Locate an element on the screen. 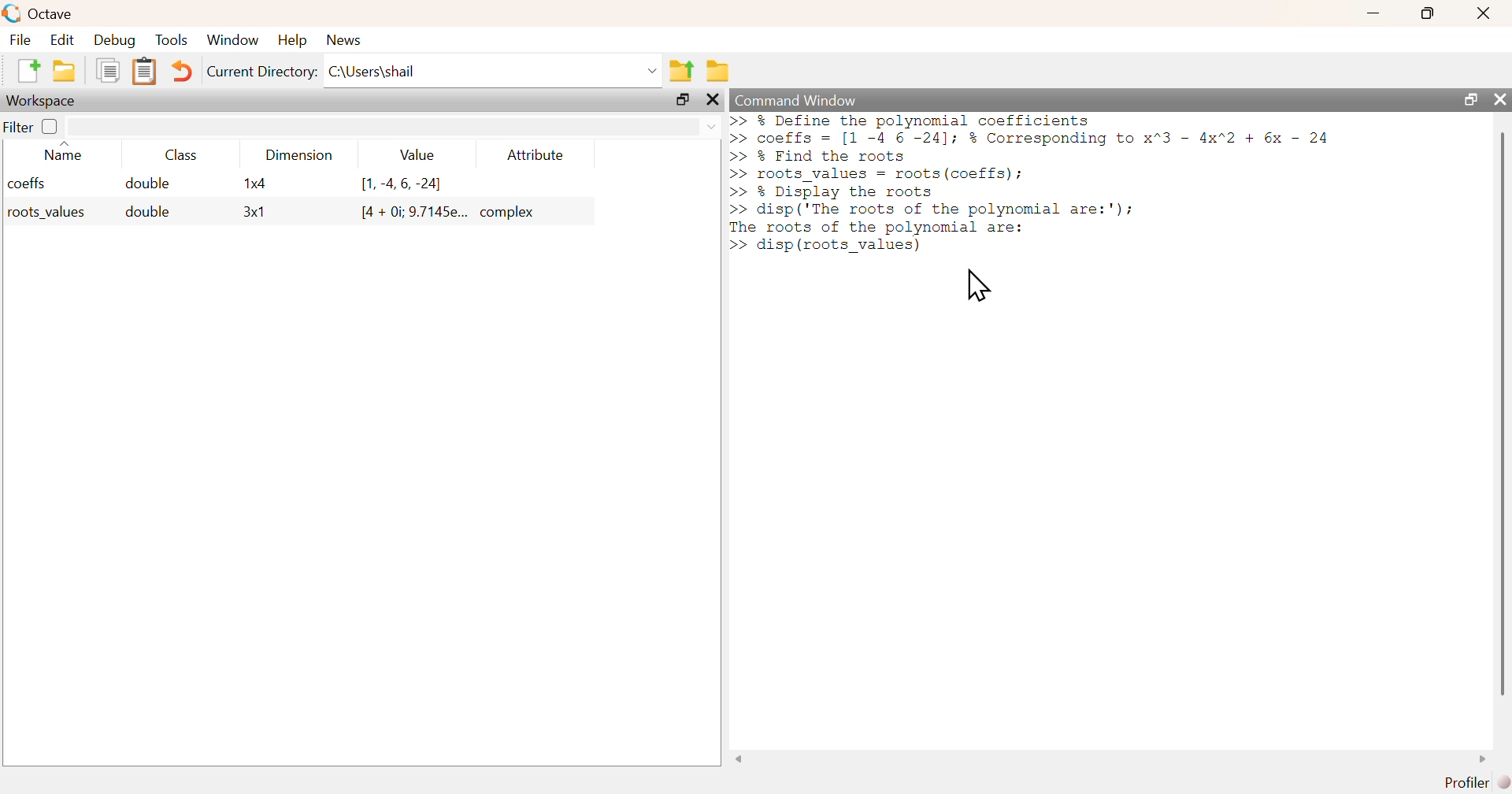 Image resolution: width=1512 pixels, height=794 pixels. Filter is located at coordinates (32, 127).